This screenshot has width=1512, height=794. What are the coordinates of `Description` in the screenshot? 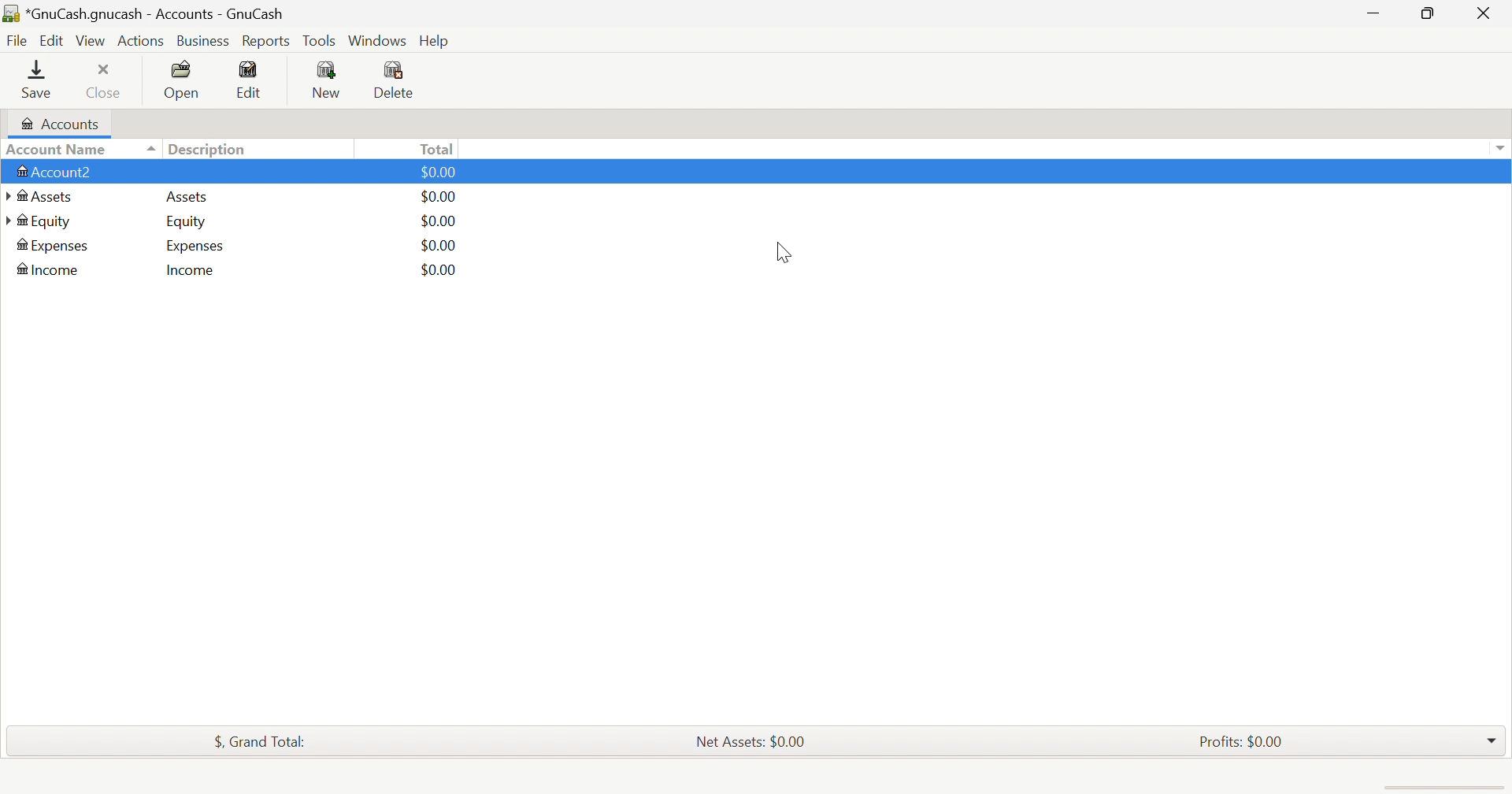 It's located at (207, 149).